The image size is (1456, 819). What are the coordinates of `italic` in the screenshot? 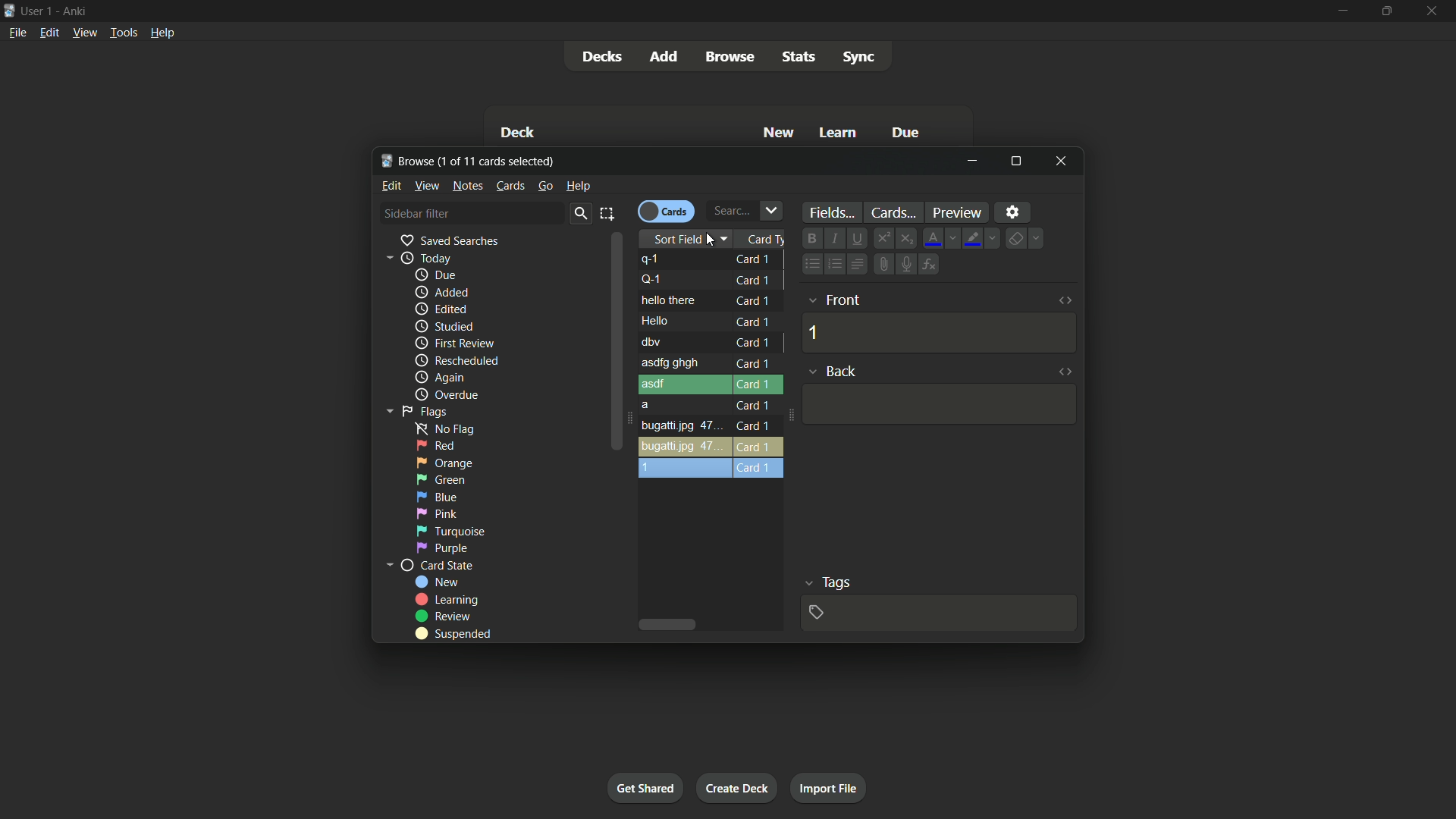 It's located at (833, 238).